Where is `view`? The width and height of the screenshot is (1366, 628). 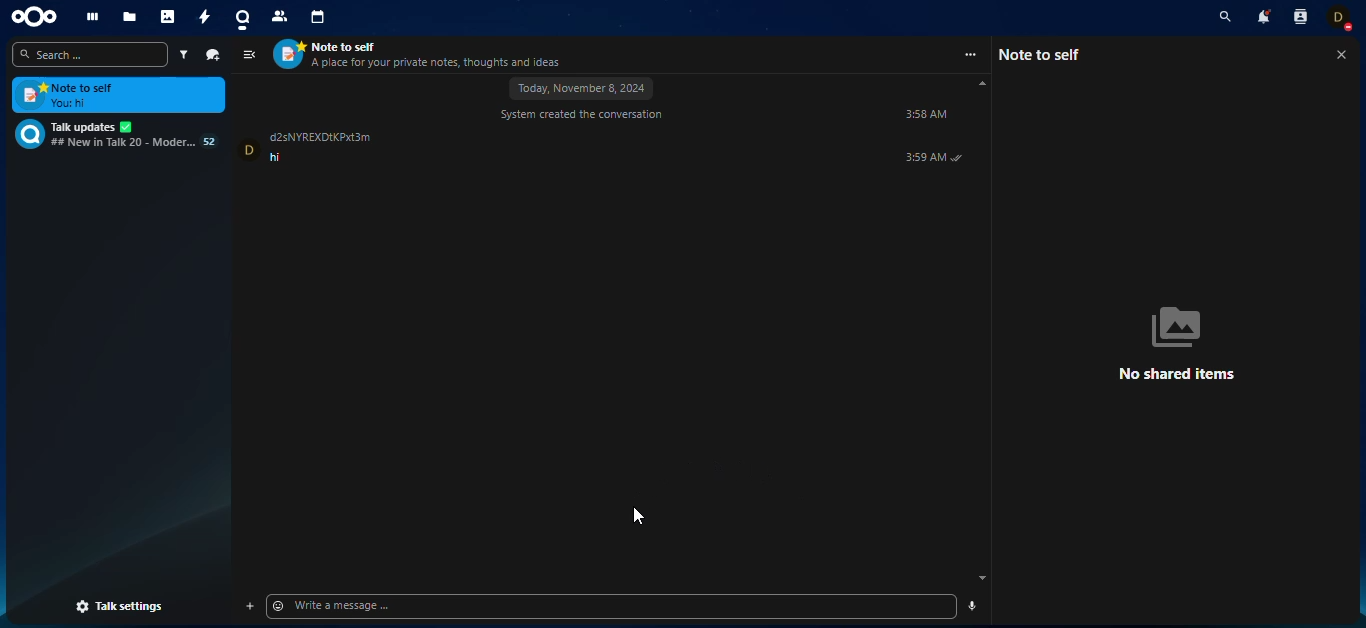
view is located at coordinates (249, 55).